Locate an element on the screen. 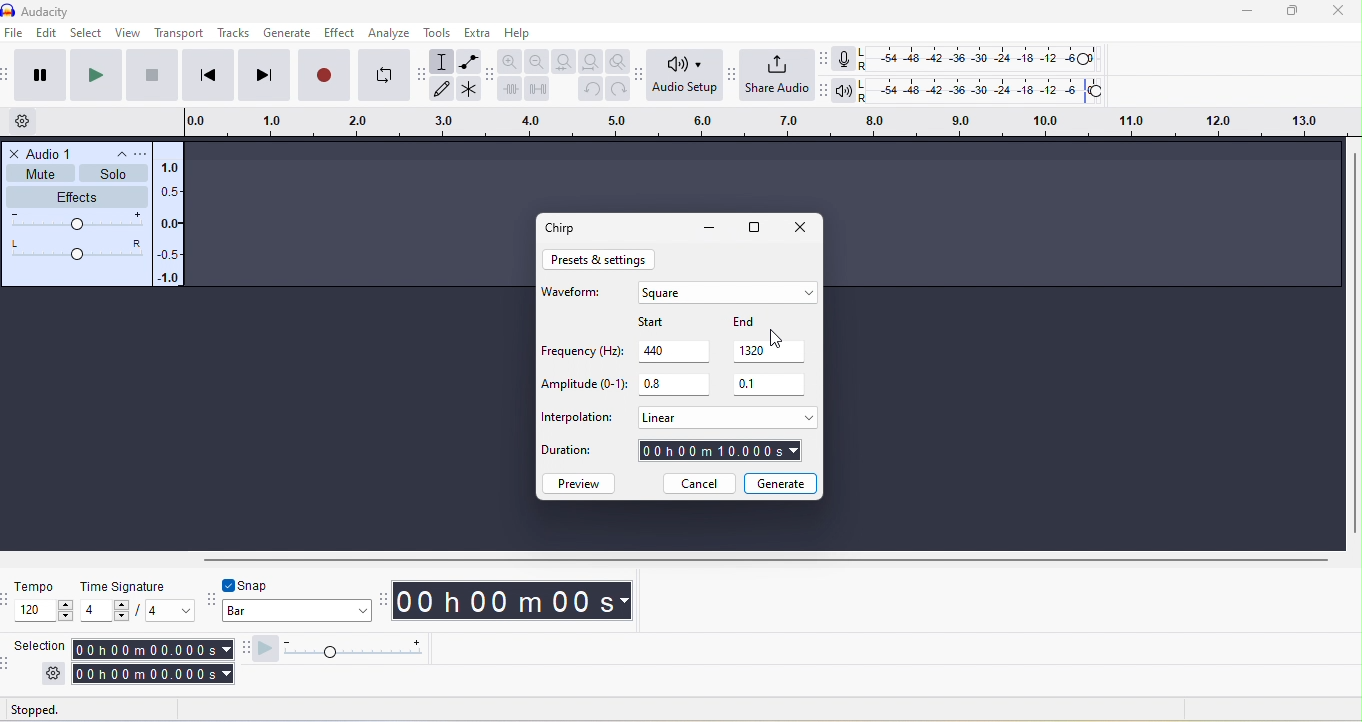  presets & settings is located at coordinates (601, 260).